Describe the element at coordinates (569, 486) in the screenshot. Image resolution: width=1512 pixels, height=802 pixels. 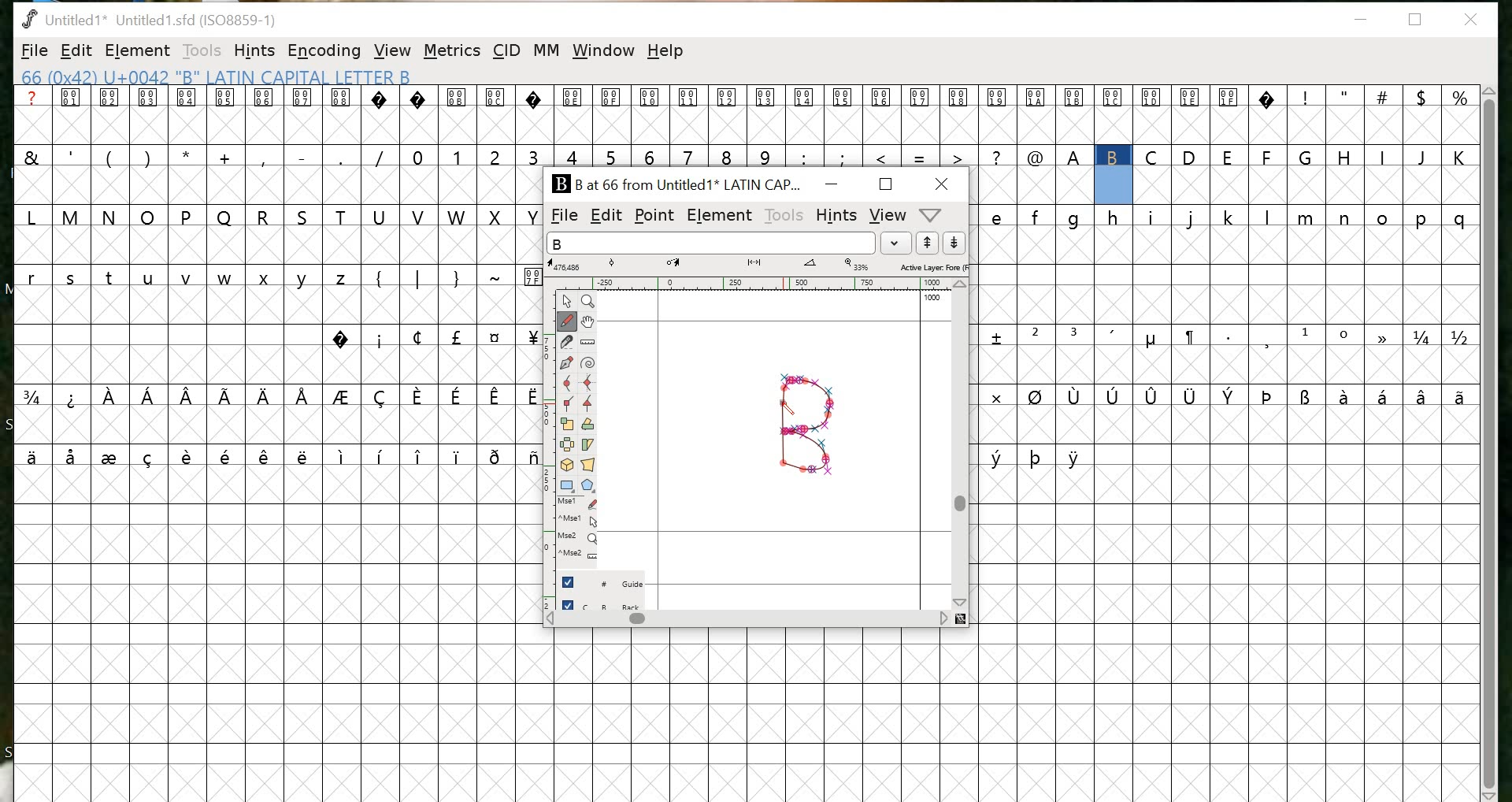
I see `Rectangle/ellipse` at that location.